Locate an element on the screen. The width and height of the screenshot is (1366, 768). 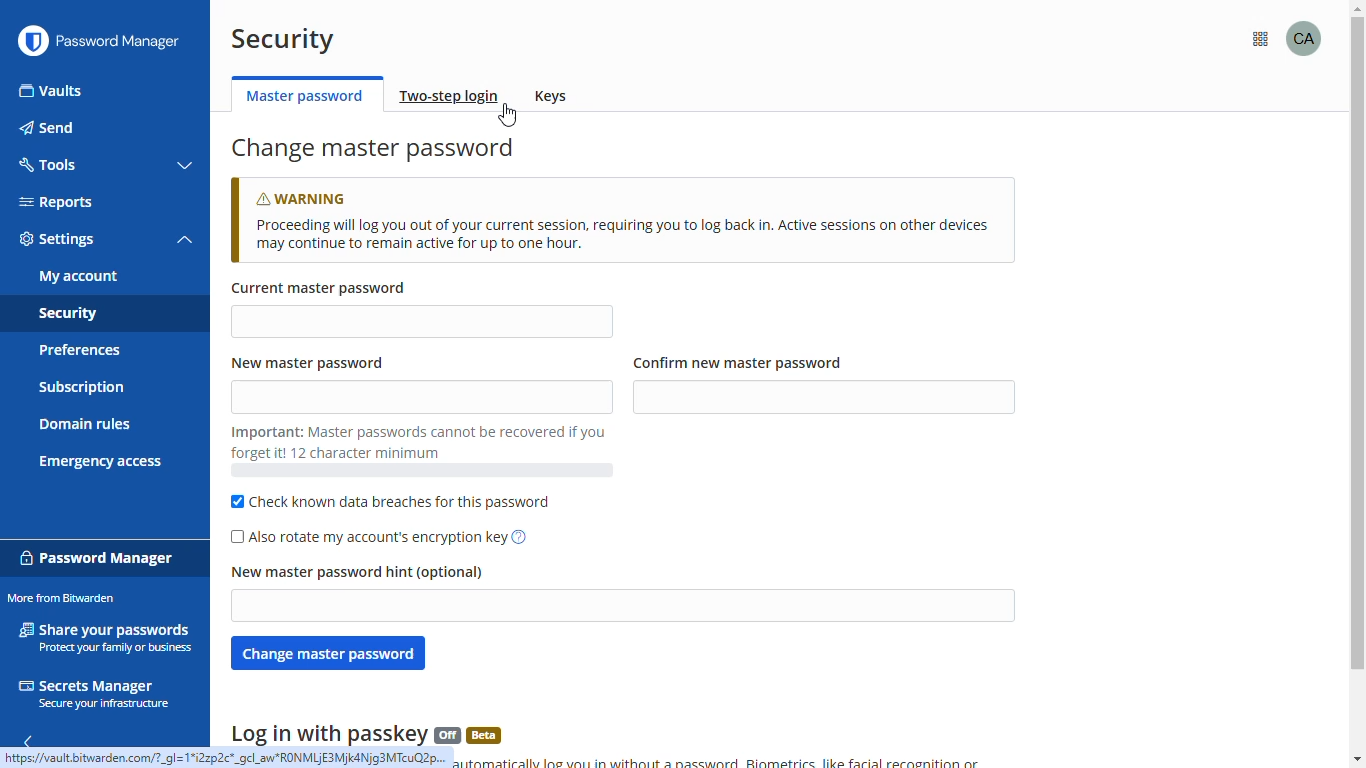
warning is located at coordinates (309, 193).